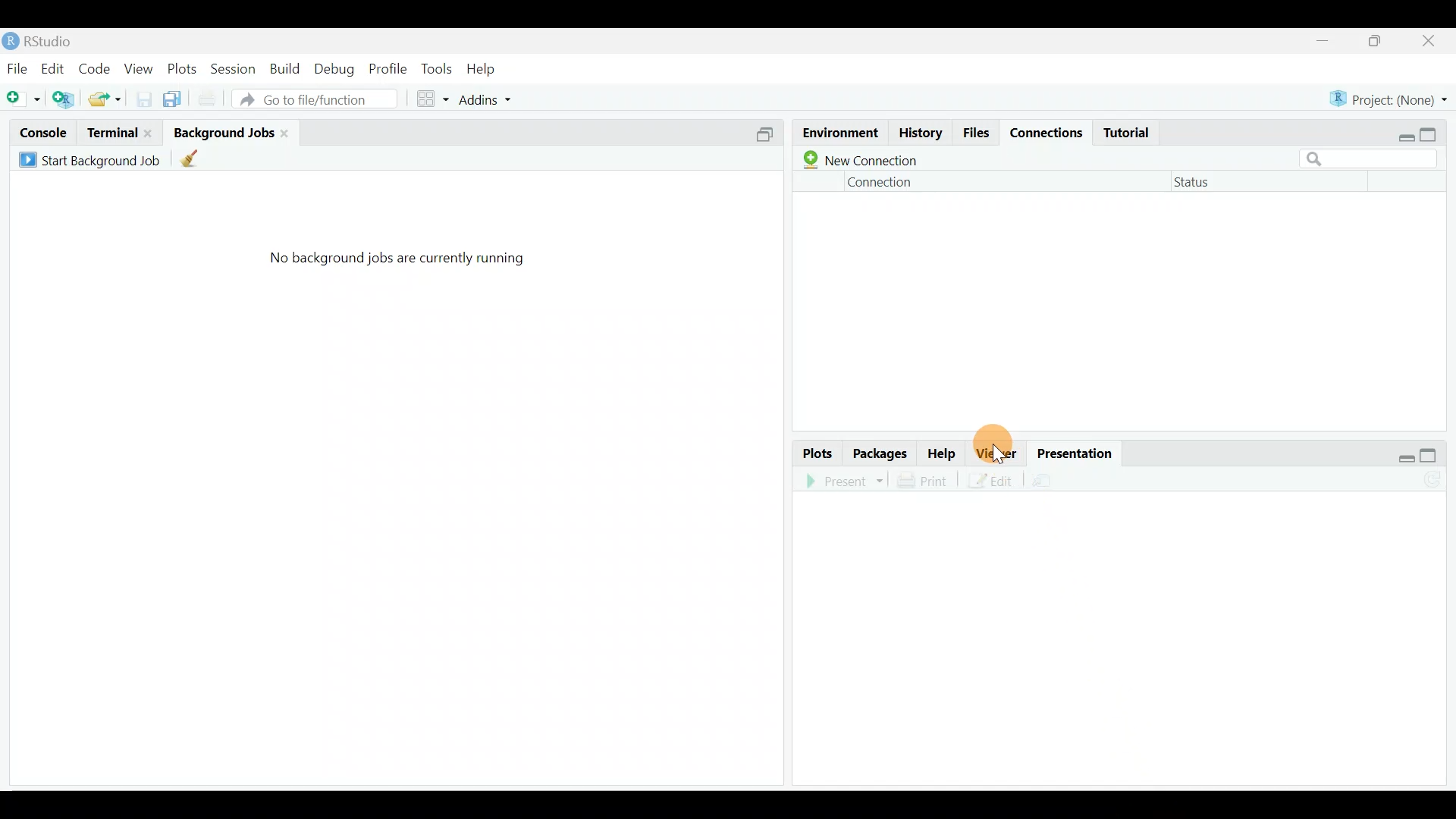  Describe the element at coordinates (97, 66) in the screenshot. I see `Code` at that location.